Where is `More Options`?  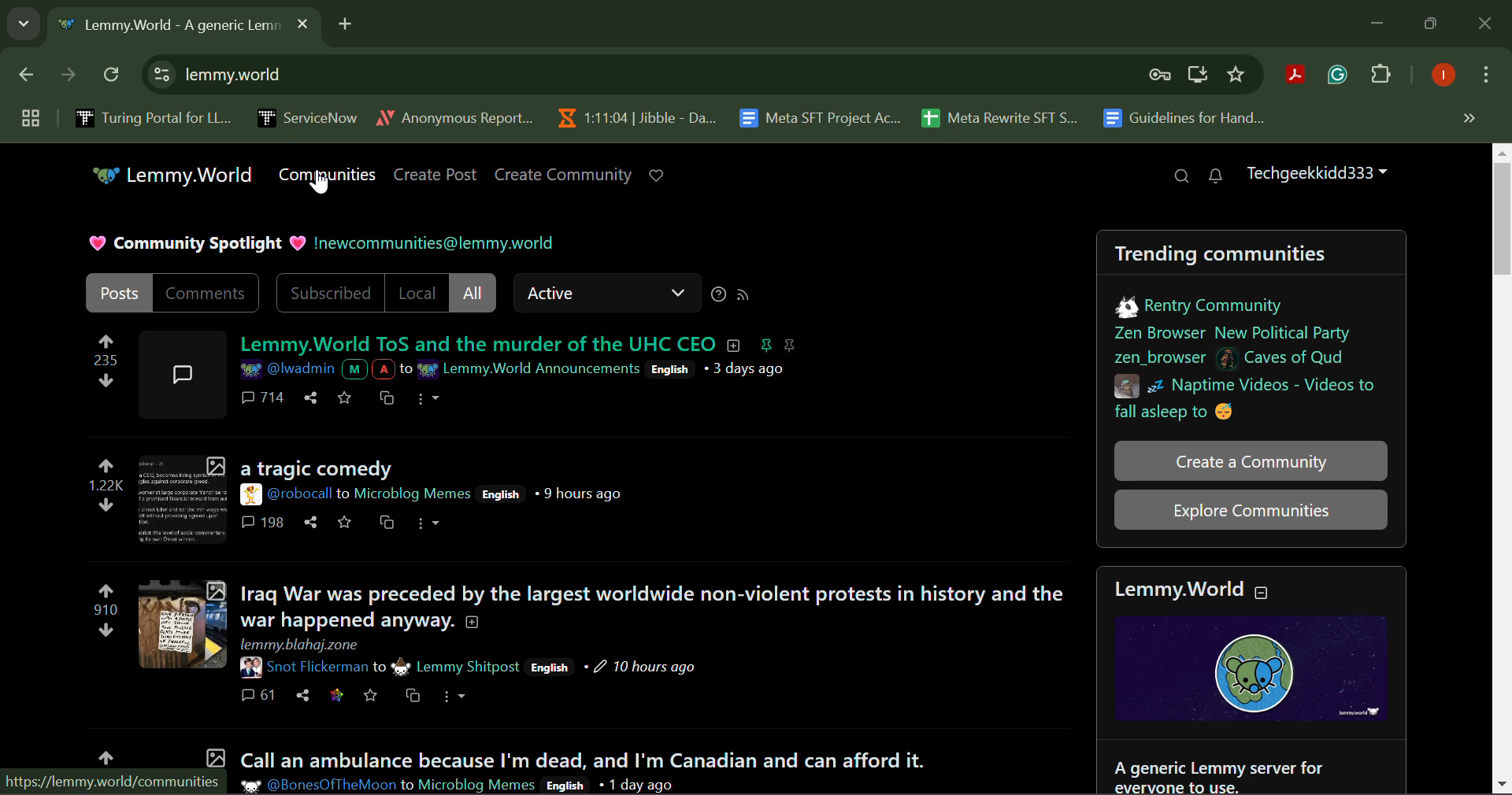 More Options is located at coordinates (428, 524).